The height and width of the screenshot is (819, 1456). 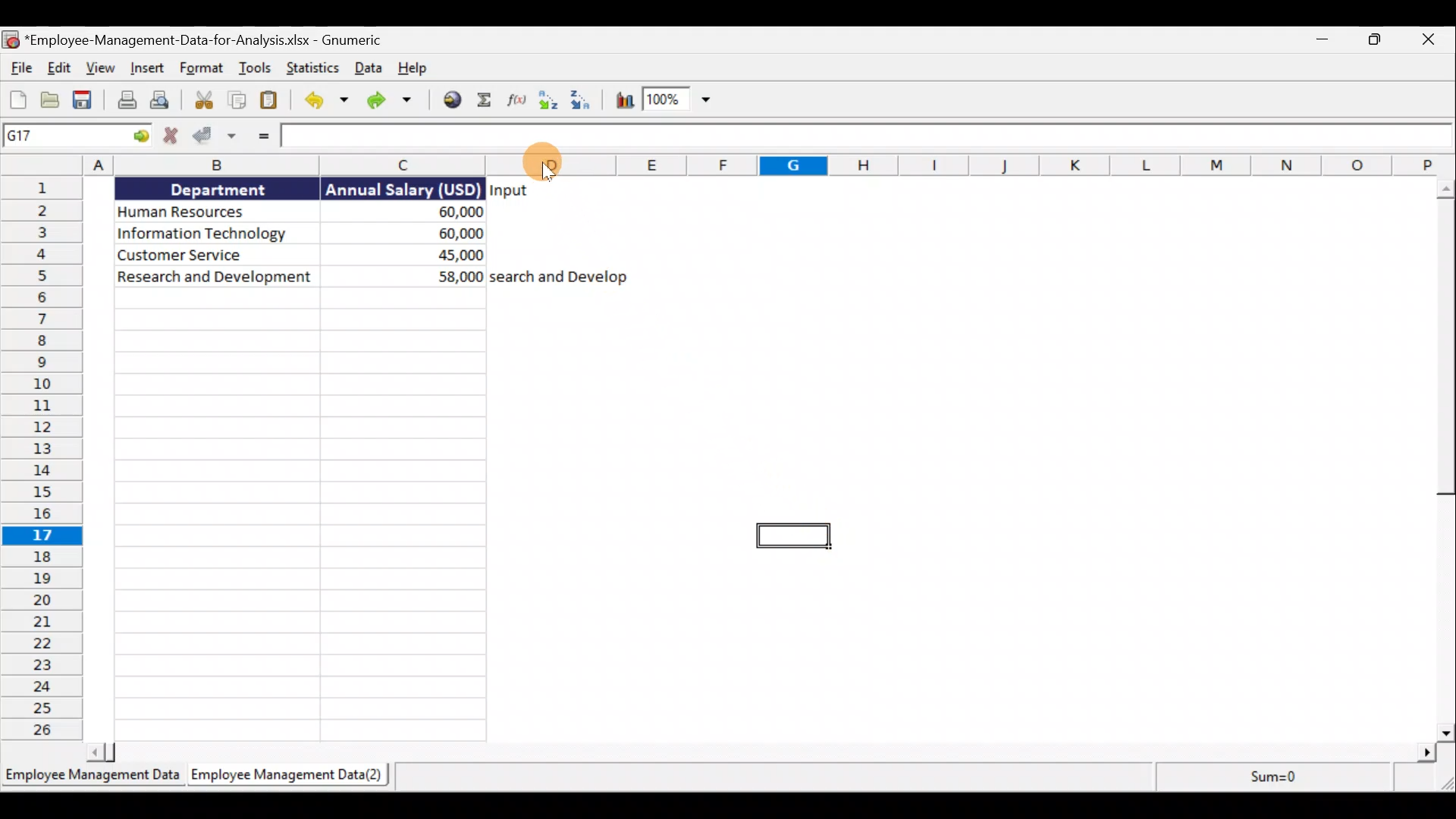 What do you see at coordinates (792, 536) in the screenshot?
I see `selected cell` at bounding box center [792, 536].